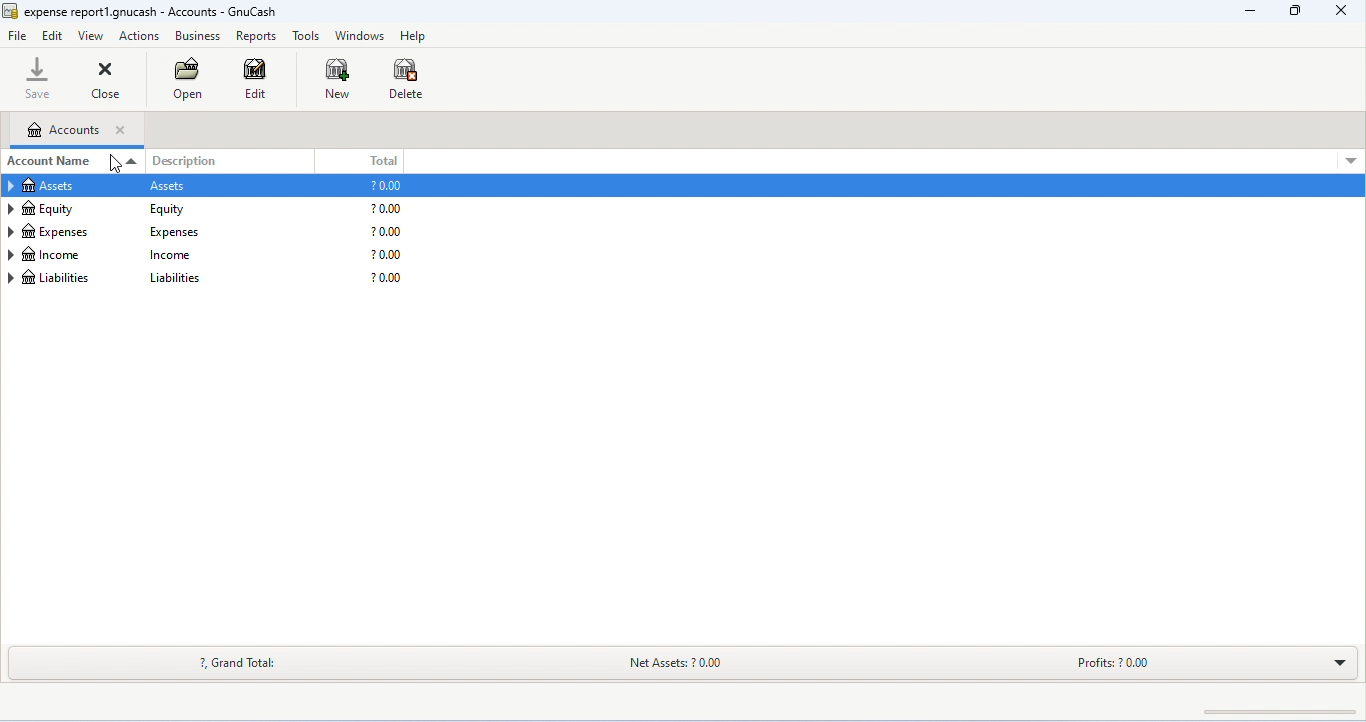 This screenshot has height=722, width=1366. Describe the element at coordinates (9, 252) in the screenshot. I see `arrow` at that location.